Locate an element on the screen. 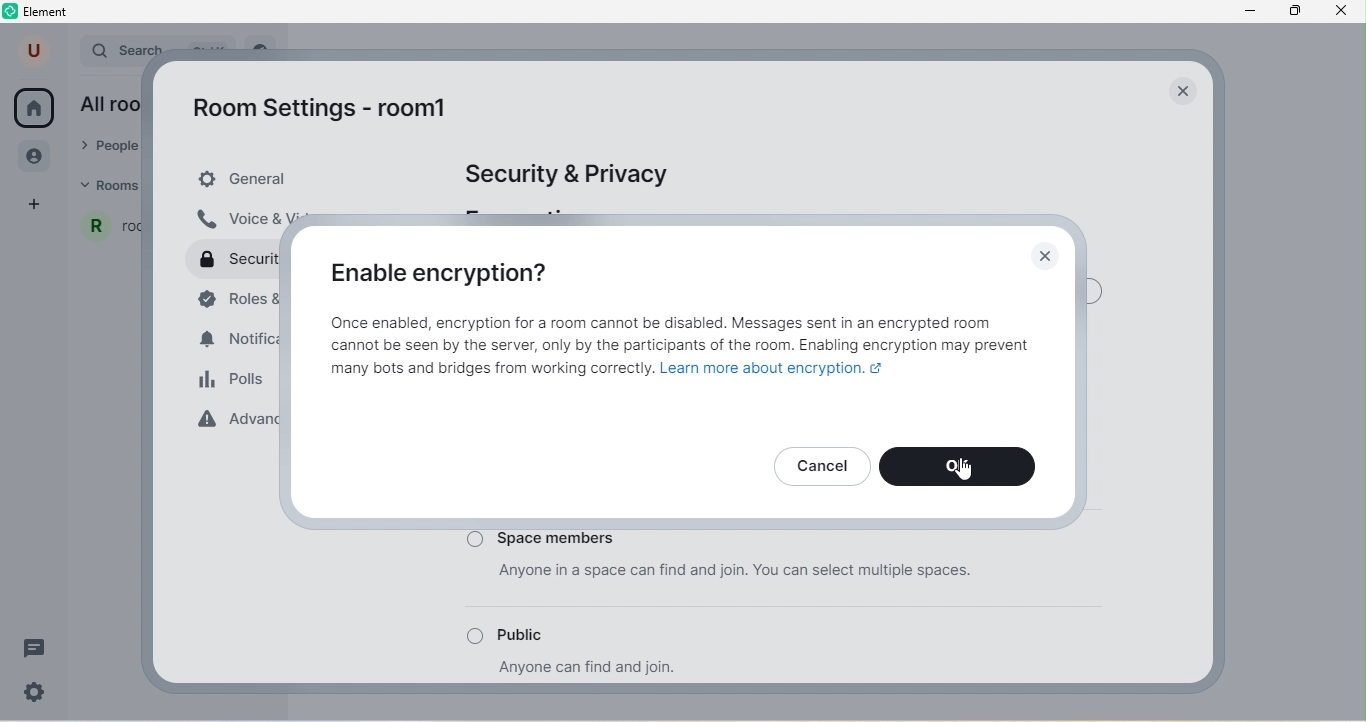 The height and width of the screenshot is (722, 1366). add space is located at coordinates (36, 205).